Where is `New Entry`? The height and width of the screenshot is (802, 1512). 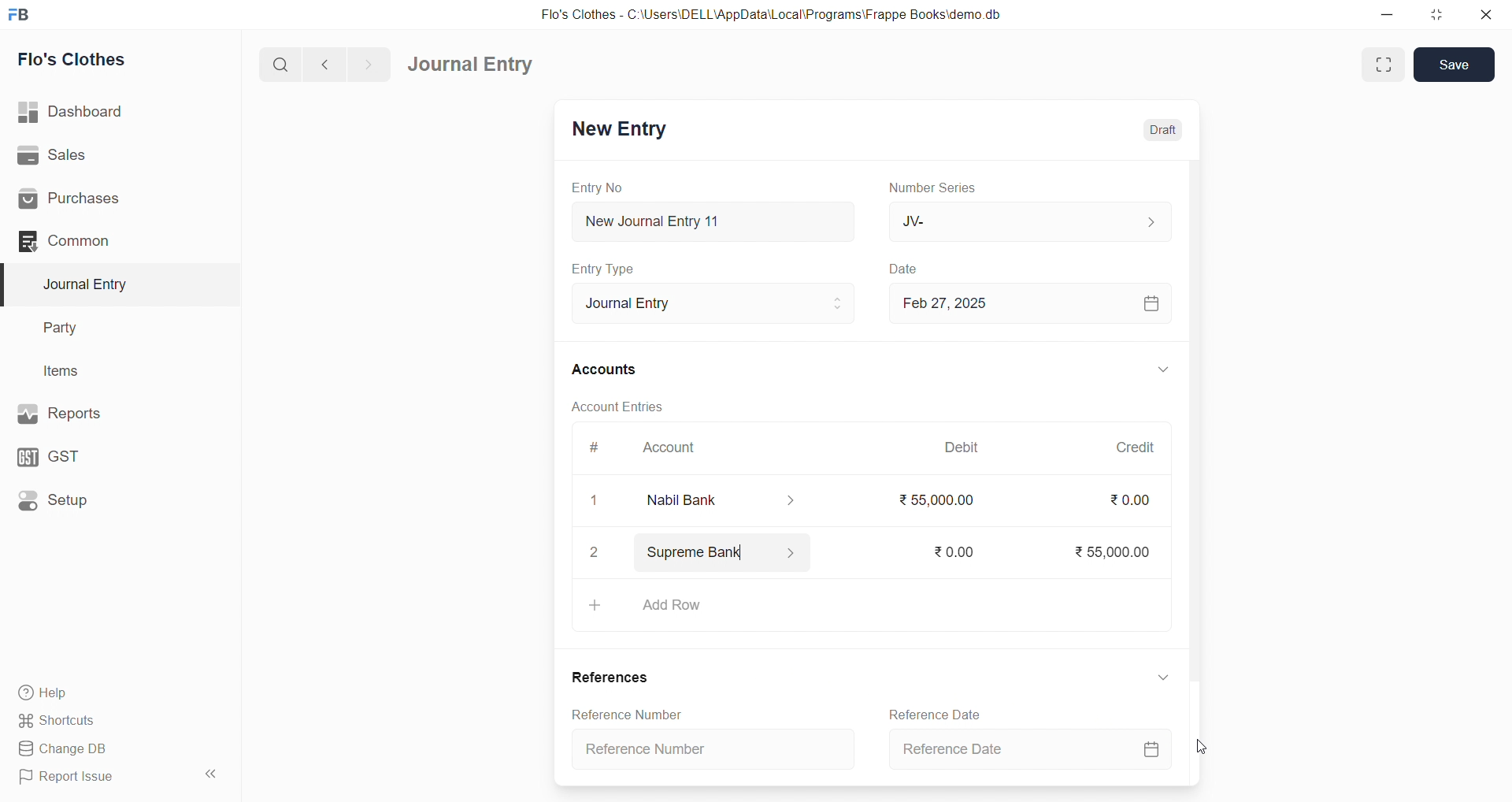
New Entry is located at coordinates (622, 130).